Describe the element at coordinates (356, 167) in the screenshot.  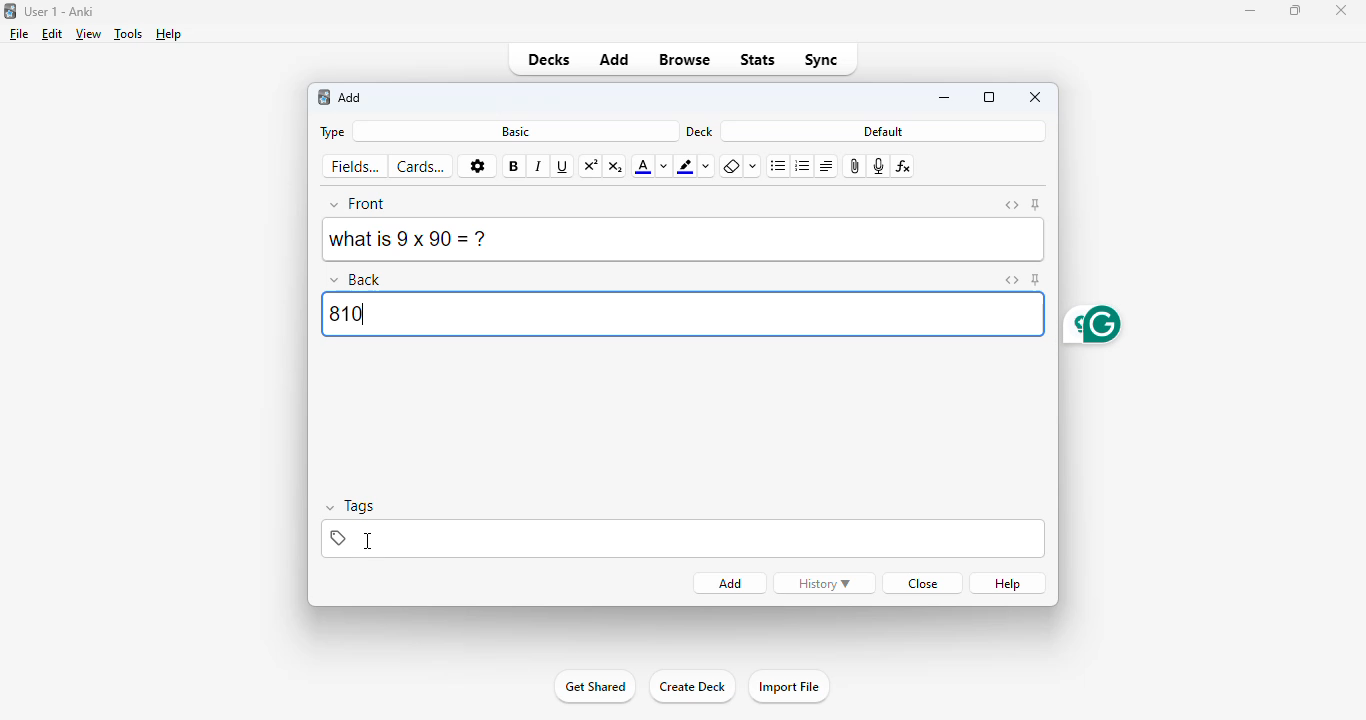
I see `fields` at that location.